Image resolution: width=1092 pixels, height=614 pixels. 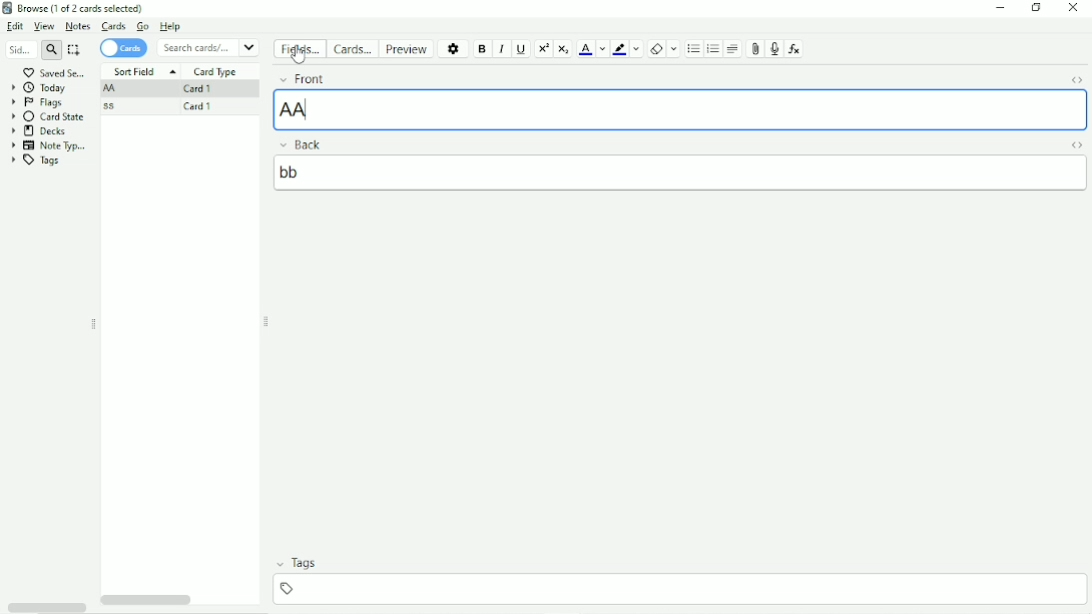 What do you see at coordinates (77, 26) in the screenshot?
I see `Notes` at bounding box center [77, 26].